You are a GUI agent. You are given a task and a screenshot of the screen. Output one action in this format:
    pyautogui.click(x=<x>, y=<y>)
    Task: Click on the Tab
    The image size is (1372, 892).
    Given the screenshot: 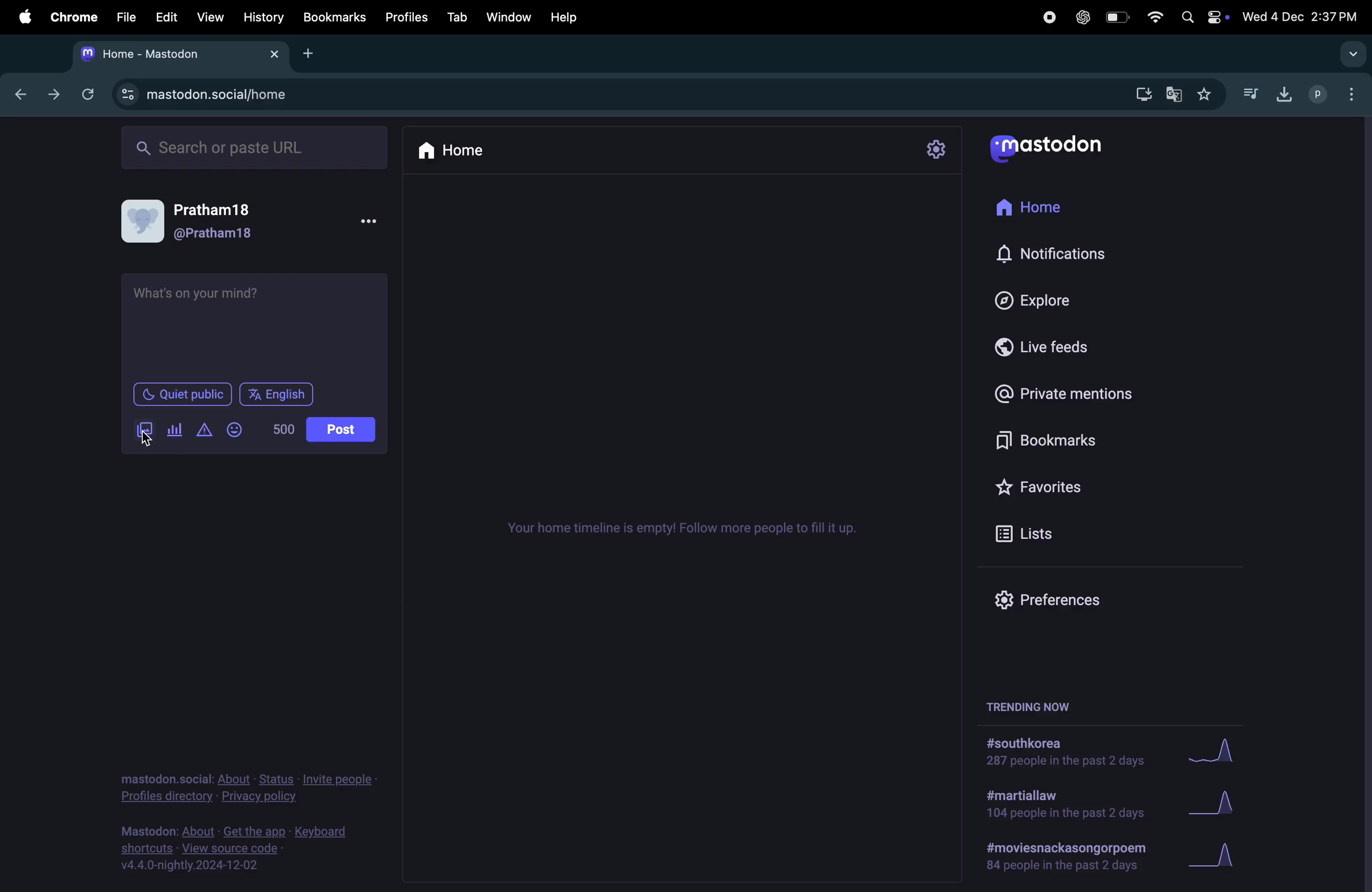 What is the action you would take?
    pyautogui.click(x=459, y=16)
    